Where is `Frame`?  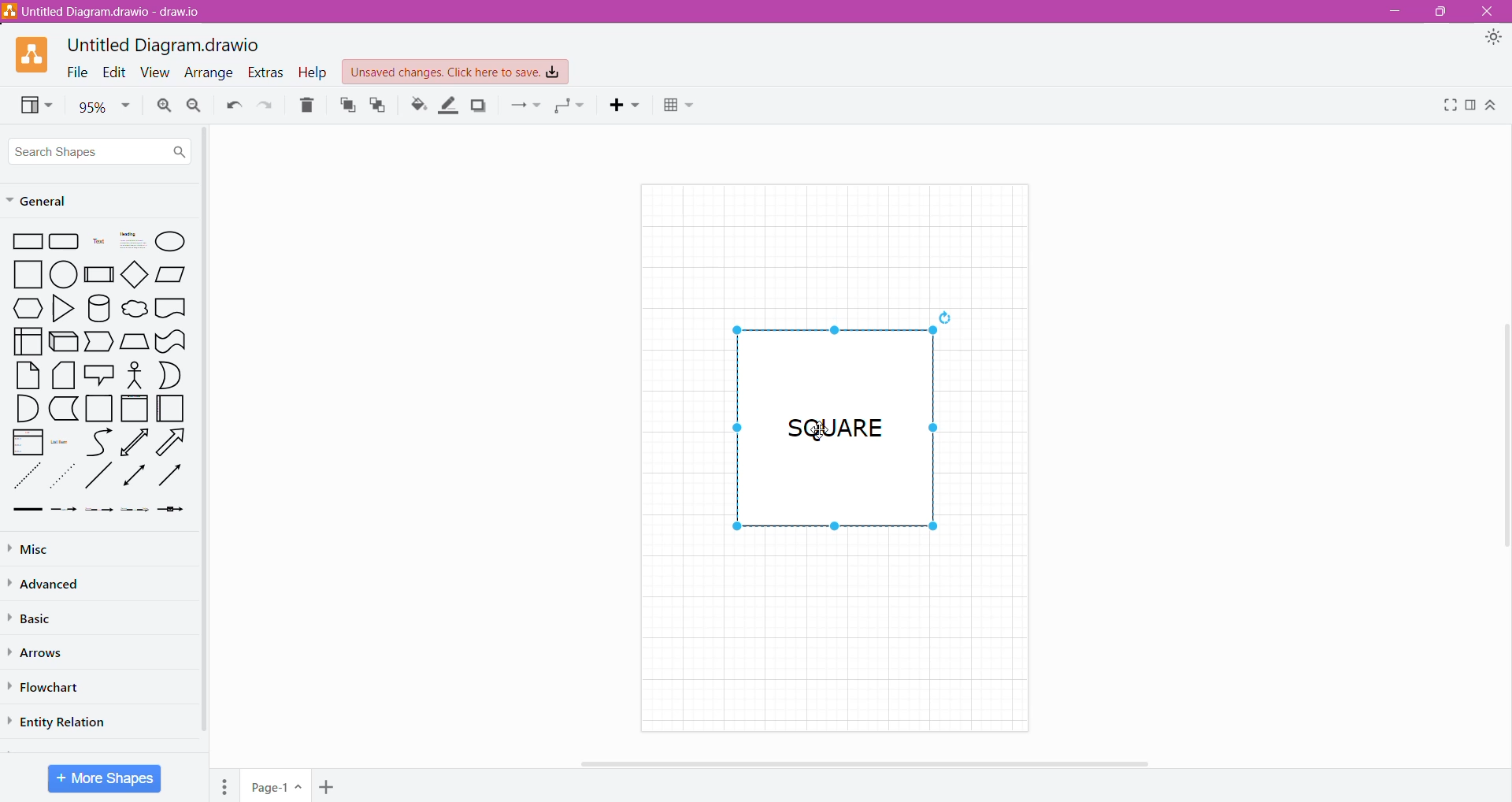 Frame is located at coordinates (135, 408).